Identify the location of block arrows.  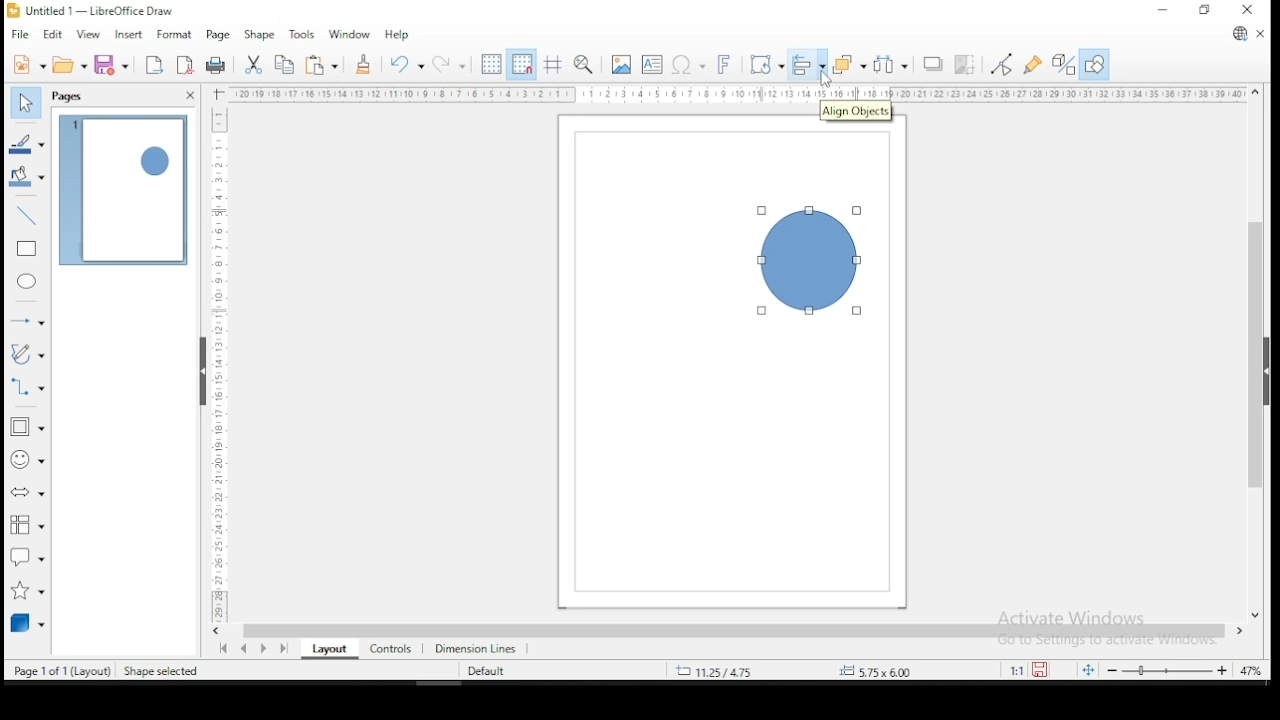
(28, 495).